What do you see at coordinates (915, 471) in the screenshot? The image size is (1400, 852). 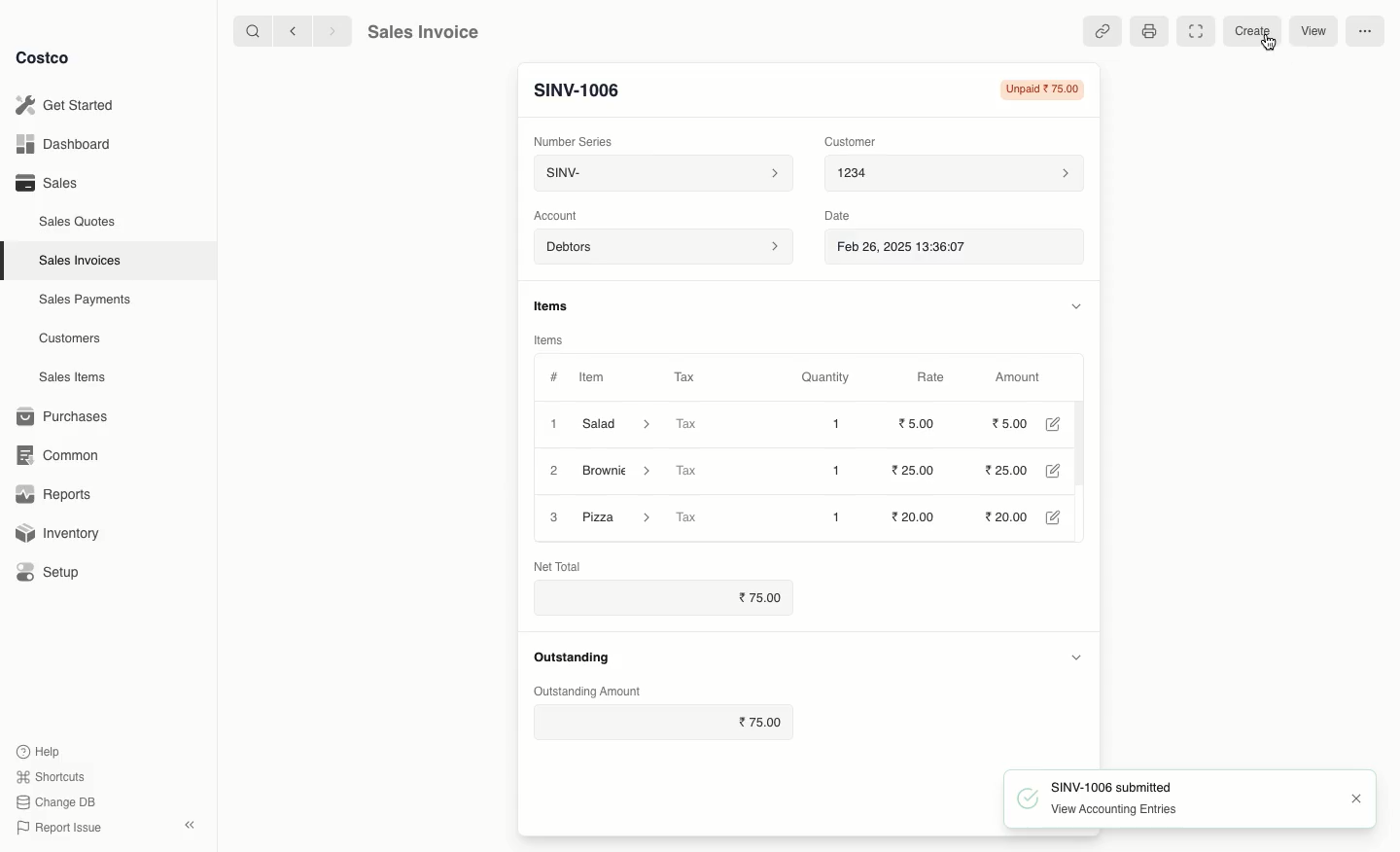 I see `25.00` at bounding box center [915, 471].